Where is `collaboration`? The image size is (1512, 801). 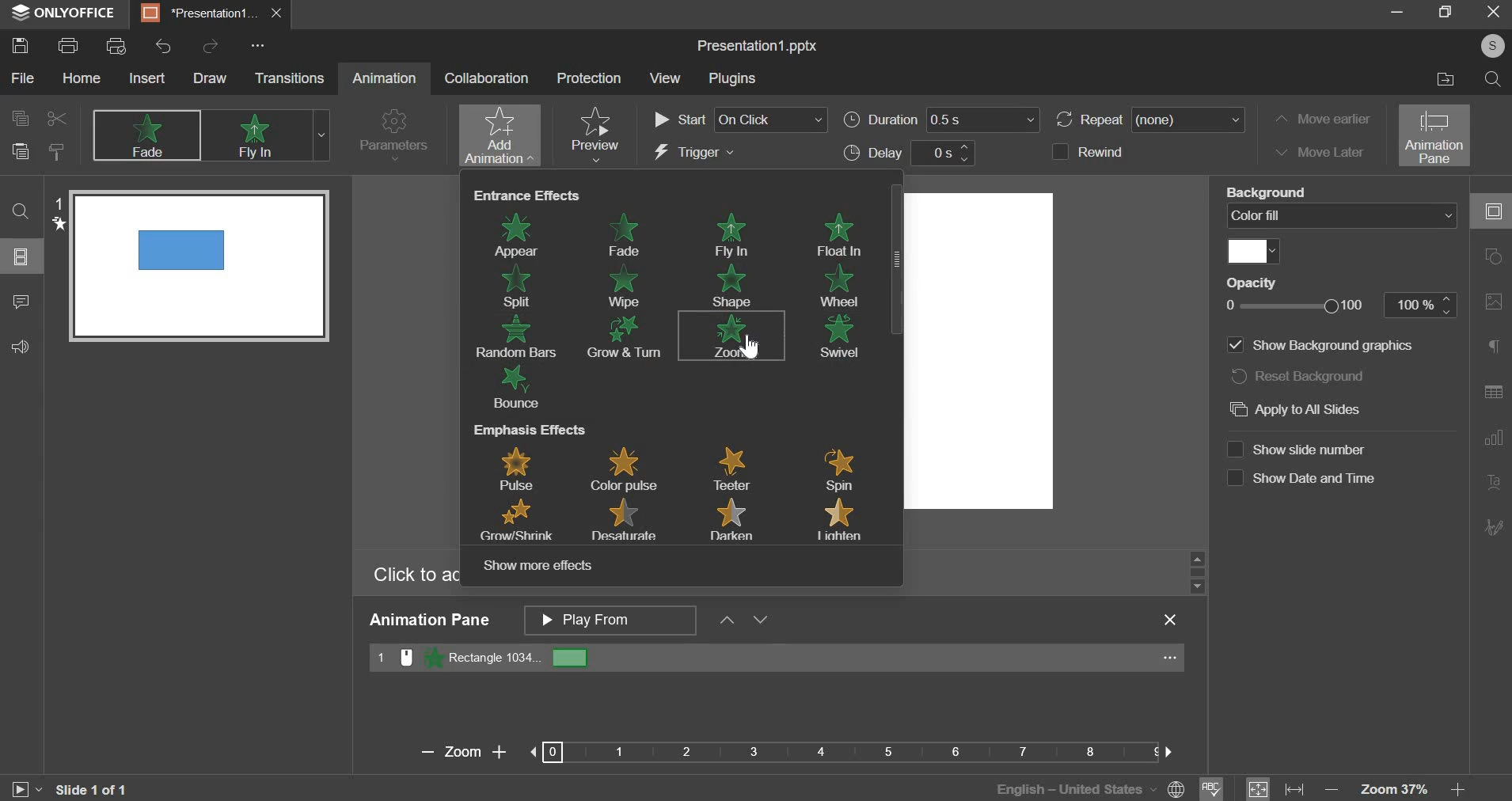 collaboration is located at coordinates (488, 78).